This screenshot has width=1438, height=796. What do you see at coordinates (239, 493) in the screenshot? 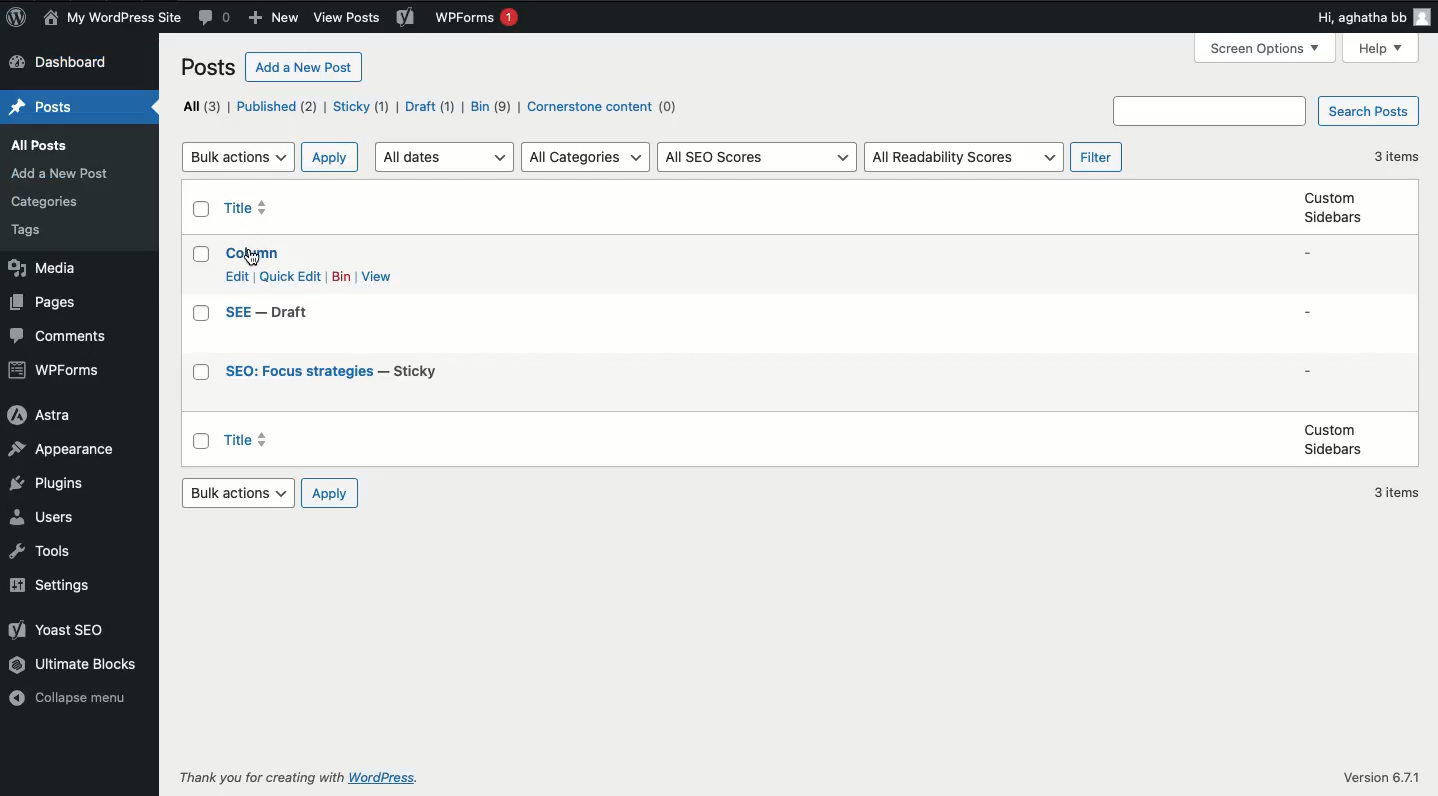
I see `Bulk actions` at bounding box center [239, 493].